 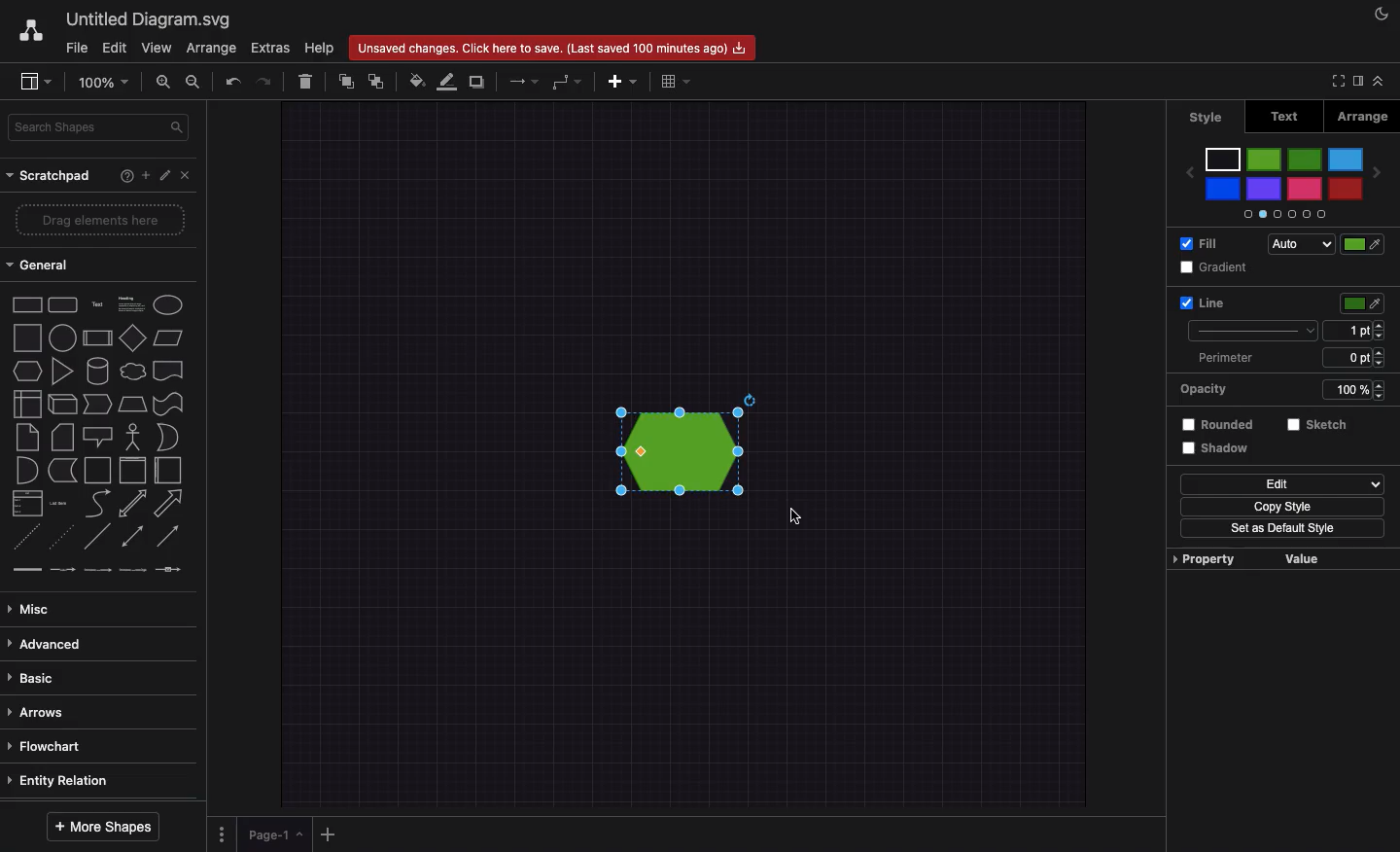 I want to click on Drag elements here, so click(x=104, y=219).